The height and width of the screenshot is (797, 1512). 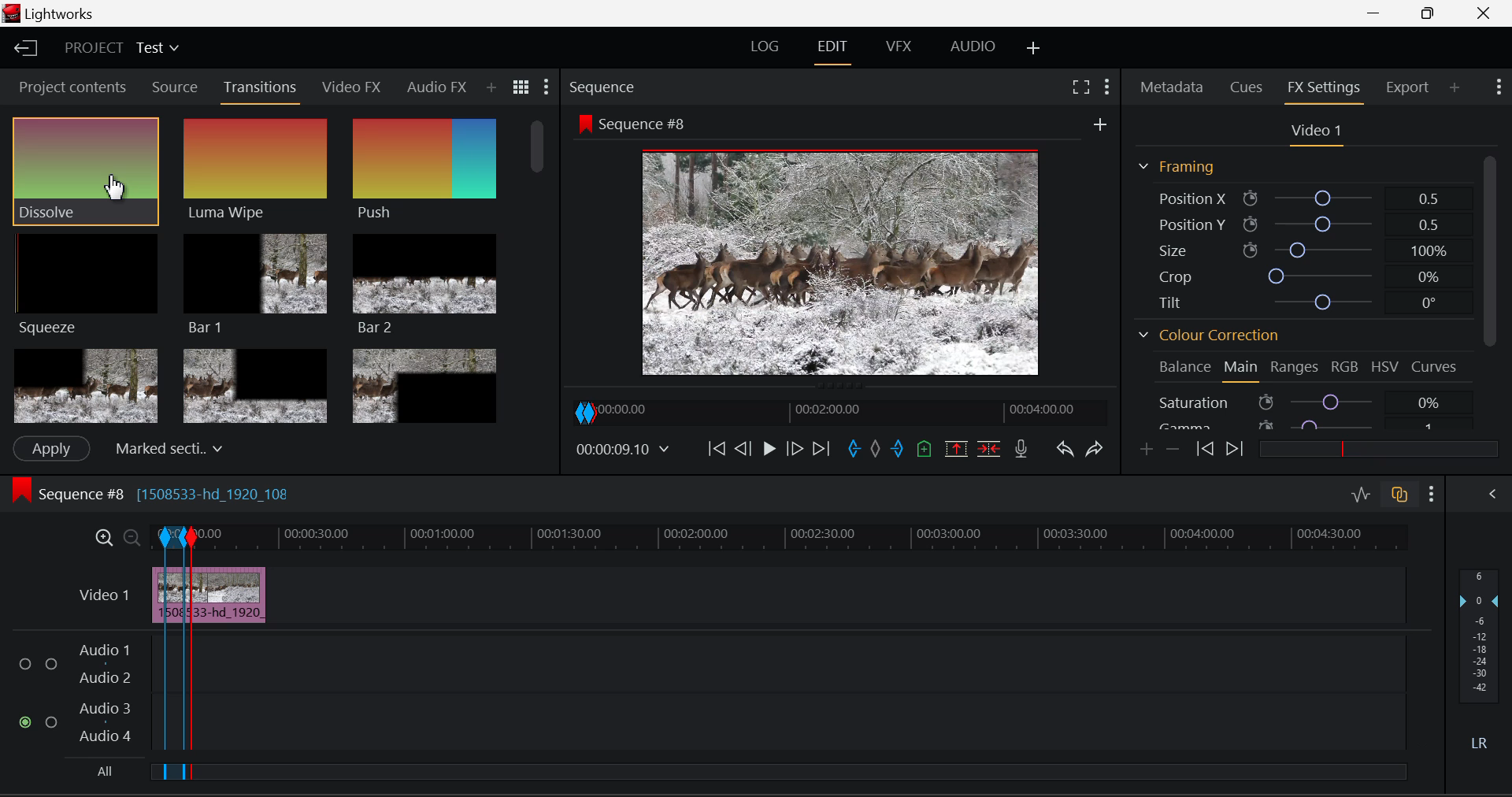 What do you see at coordinates (104, 537) in the screenshot?
I see `Timeline Zoom In` at bounding box center [104, 537].